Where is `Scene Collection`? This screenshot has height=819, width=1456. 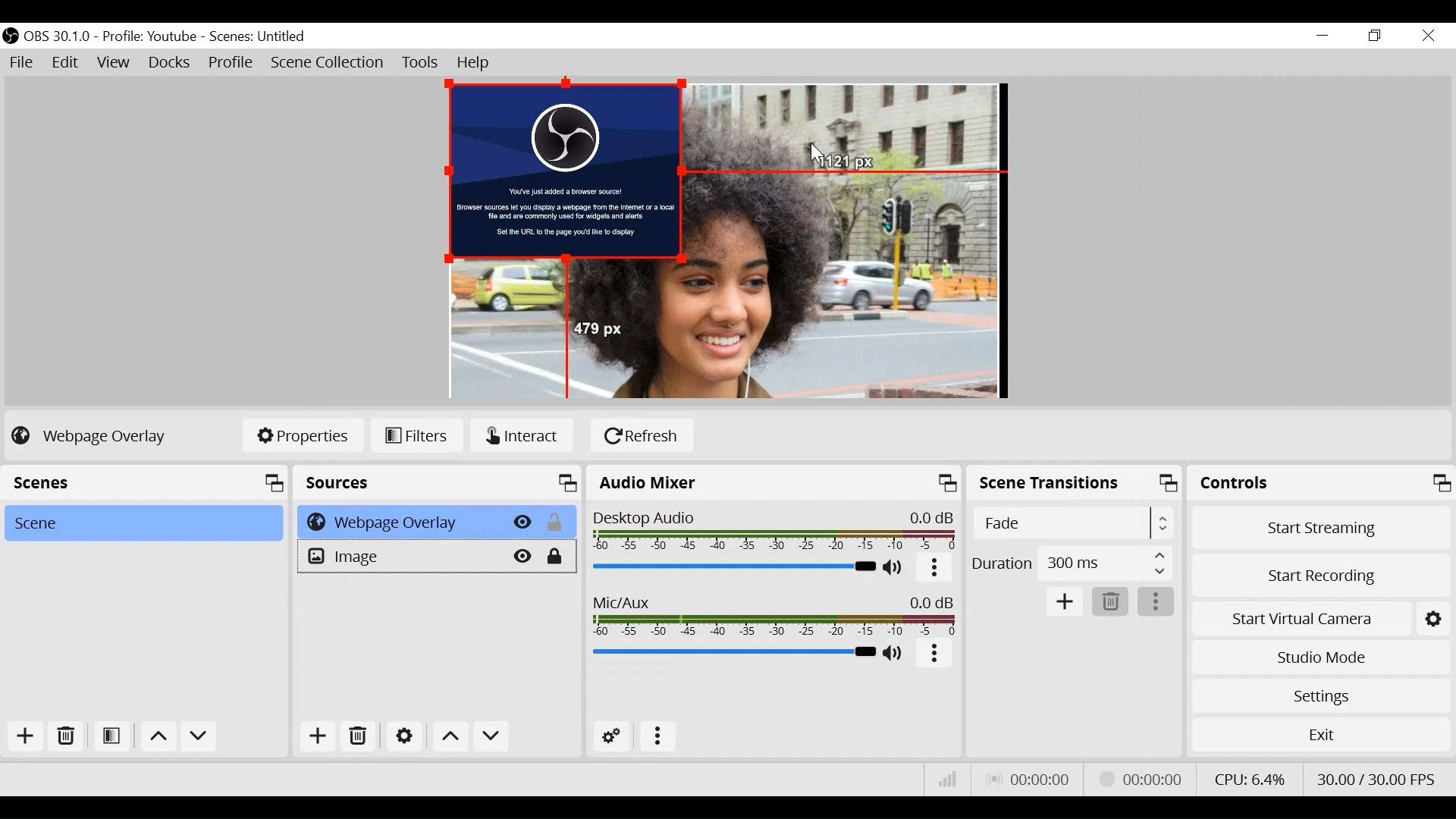
Scene Collection is located at coordinates (327, 65).